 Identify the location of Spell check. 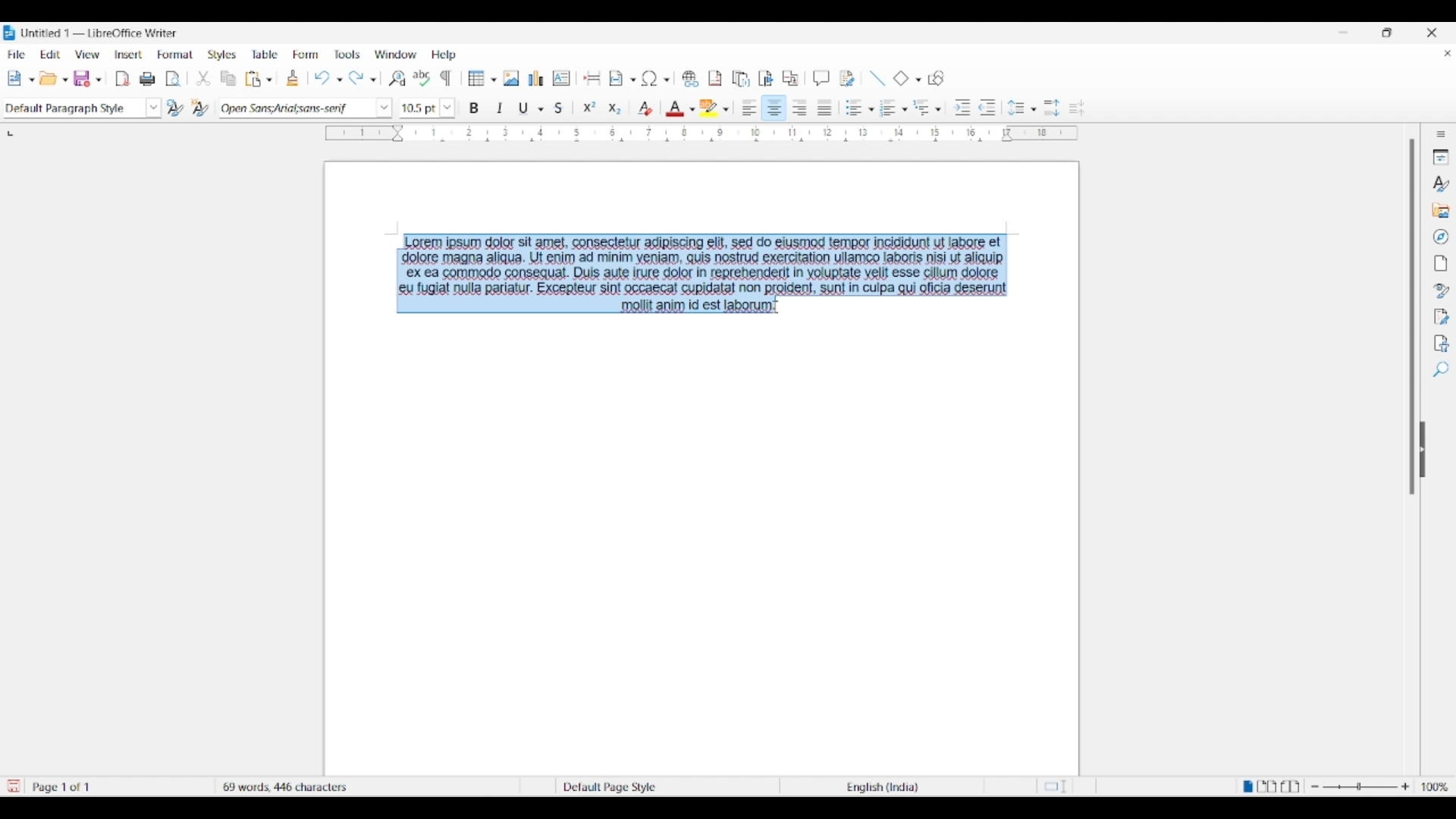
(422, 78).